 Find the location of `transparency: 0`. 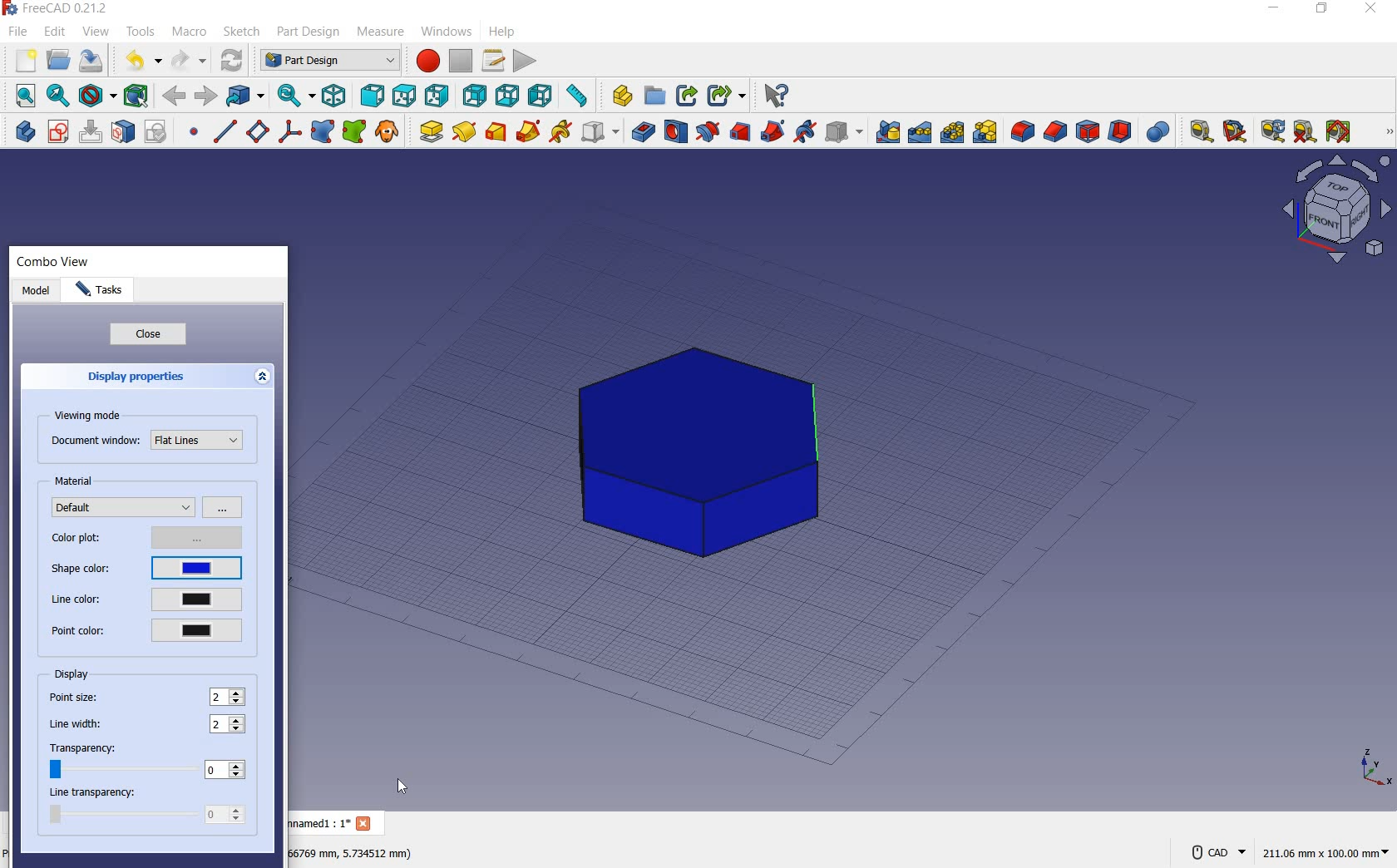

transparency: 0 is located at coordinates (225, 763).